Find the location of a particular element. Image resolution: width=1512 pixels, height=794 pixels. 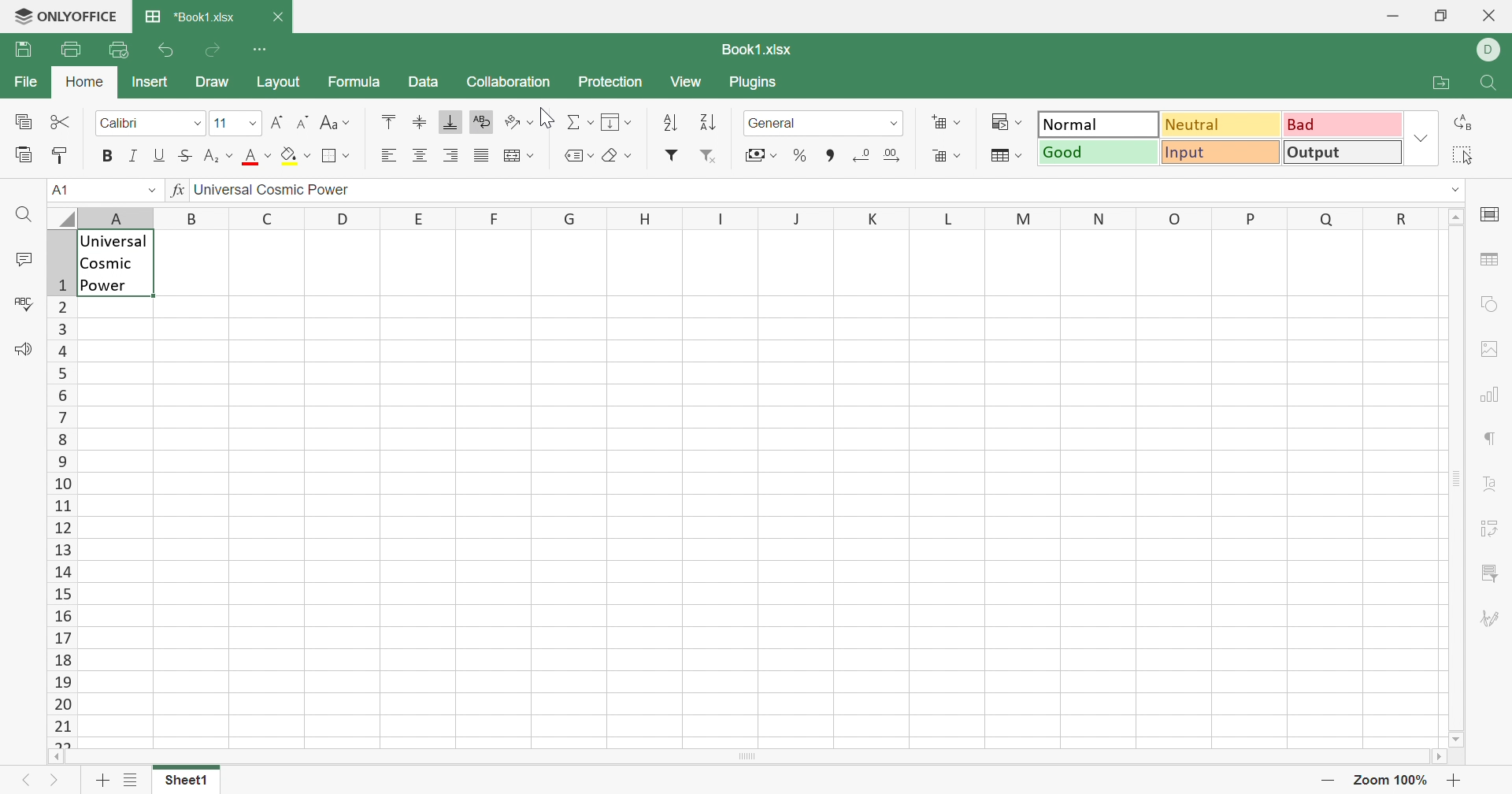

Close is located at coordinates (278, 19).